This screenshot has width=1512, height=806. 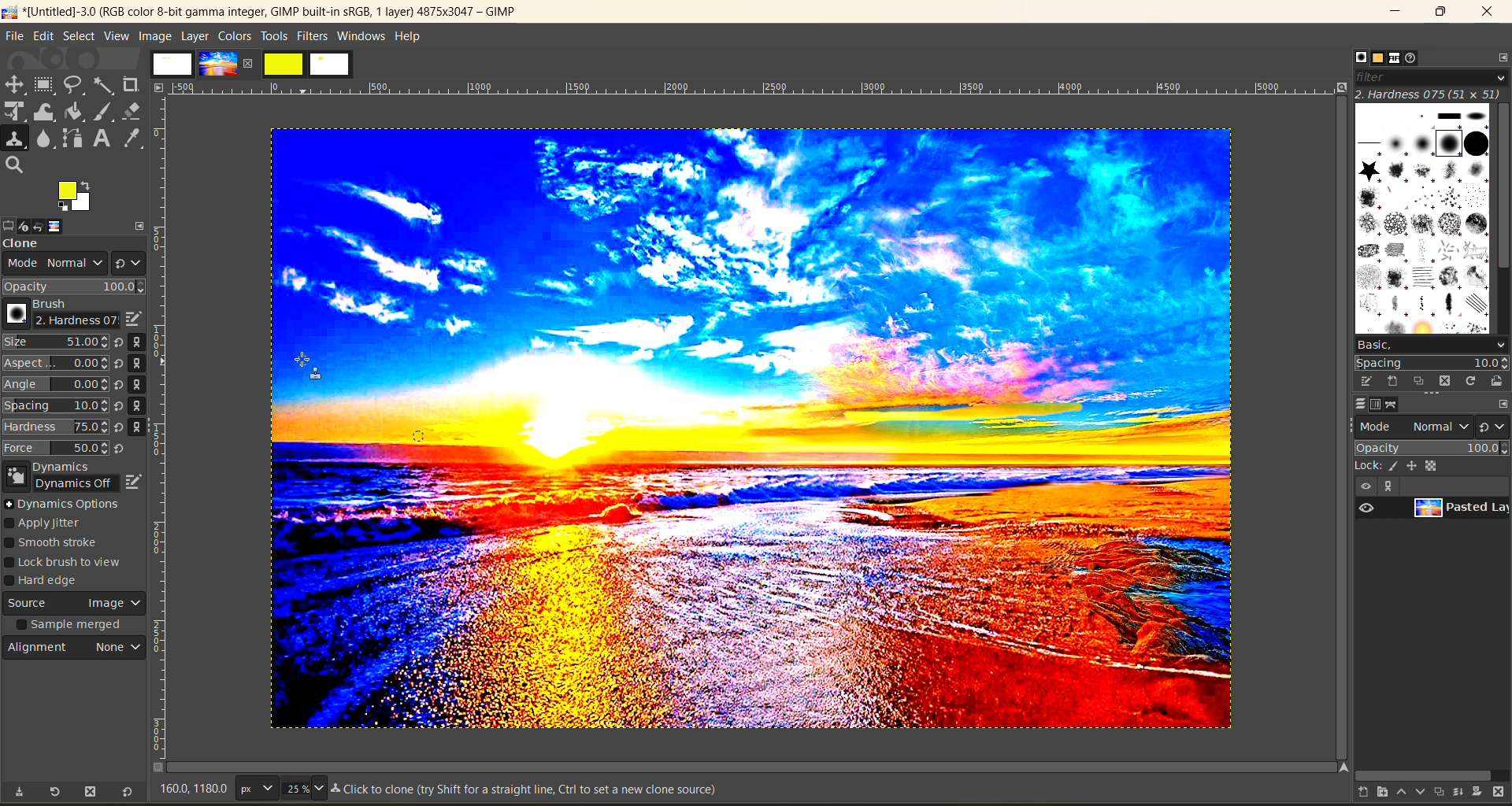 What do you see at coordinates (261, 11) in the screenshot?
I see `app name and file name` at bounding box center [261, 11].